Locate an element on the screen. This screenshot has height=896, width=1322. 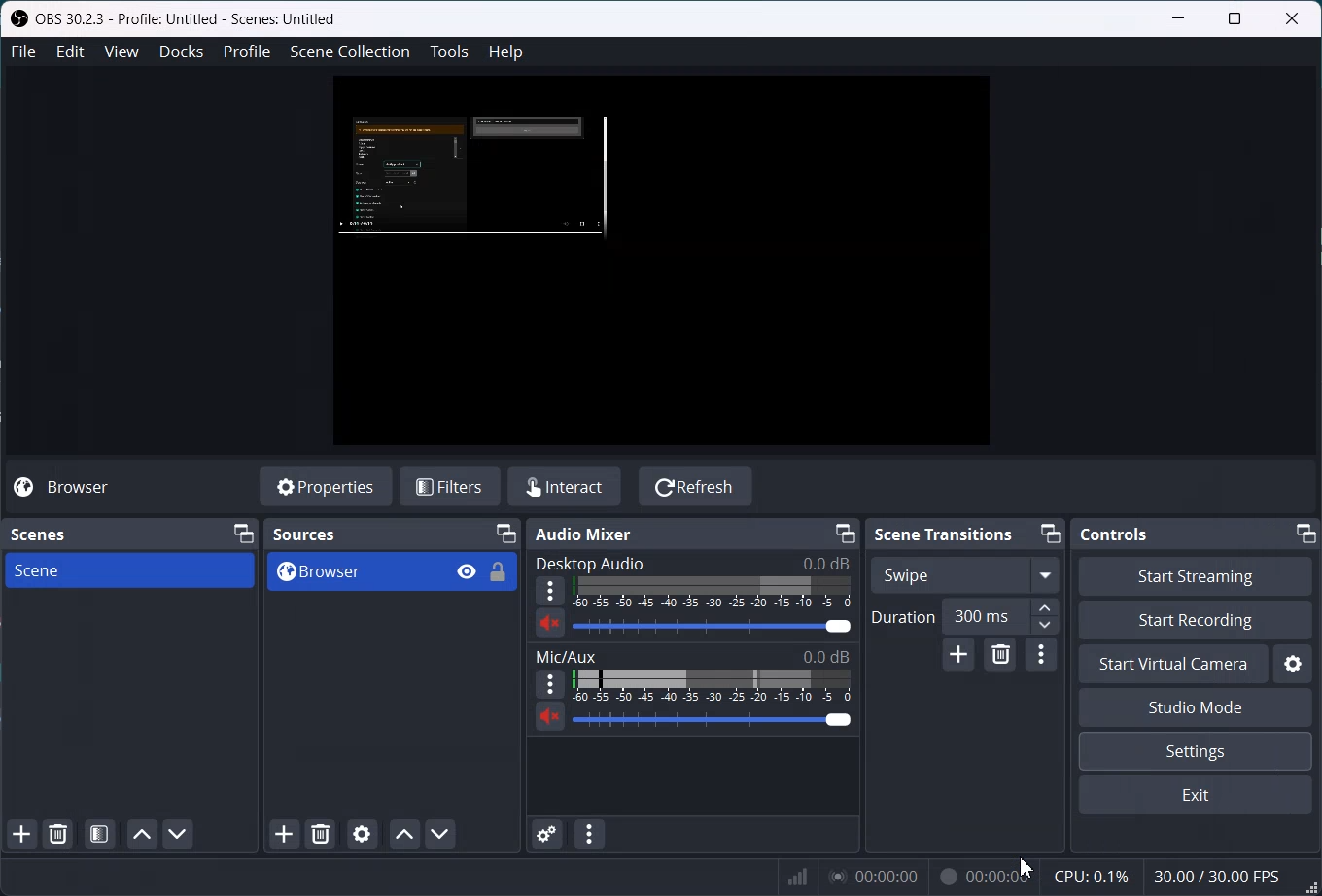
Refresh is located at coordinates (696, 486).